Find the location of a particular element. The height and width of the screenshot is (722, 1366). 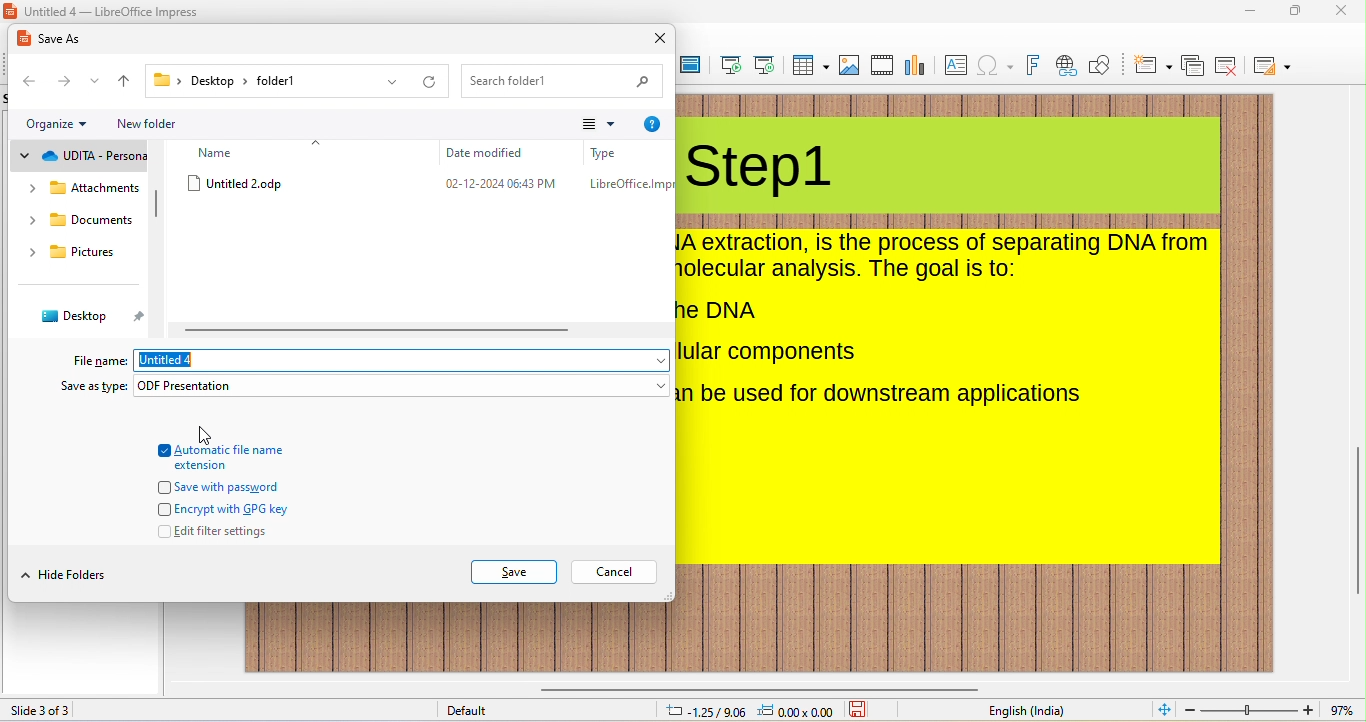

edit with filter settings is located at coordinates (252, 531).